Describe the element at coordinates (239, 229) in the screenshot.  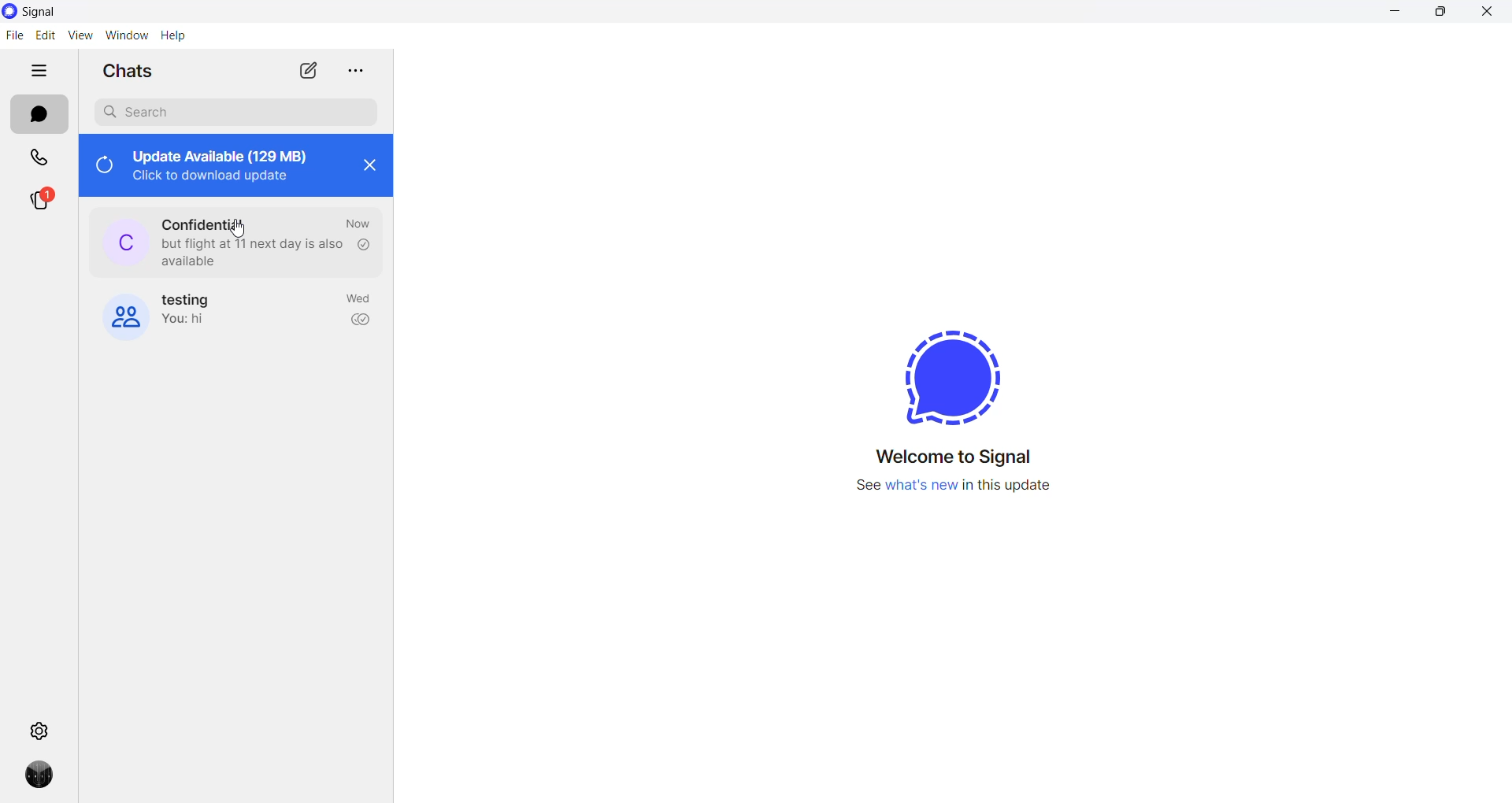
I see `cursor` at that location.